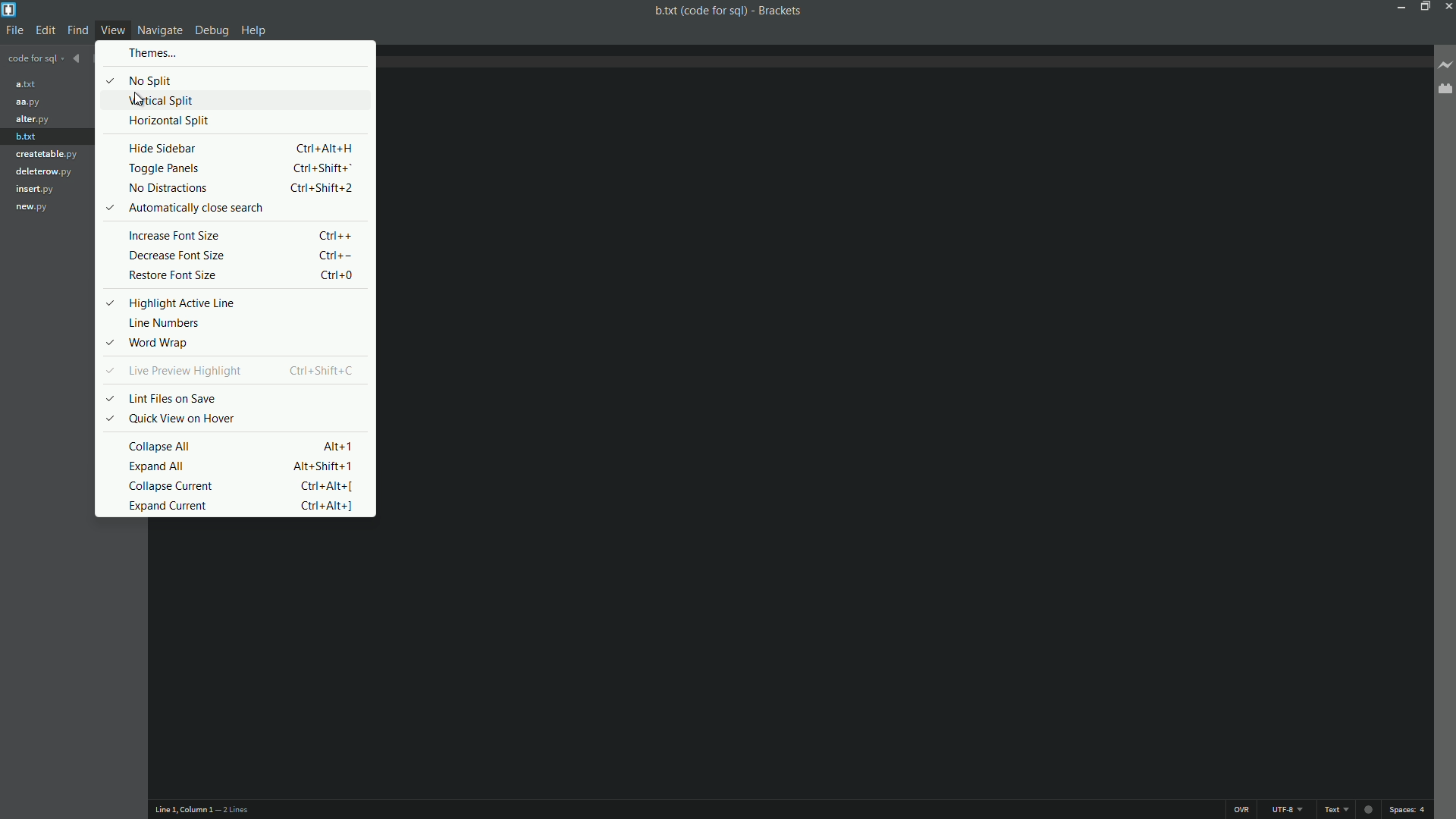 The height and width of the screenshot is (819, 1456). What do you see at coordinates (256, 31) in the screenshot?
I see `Help menu` at bounding box center [256, 31].